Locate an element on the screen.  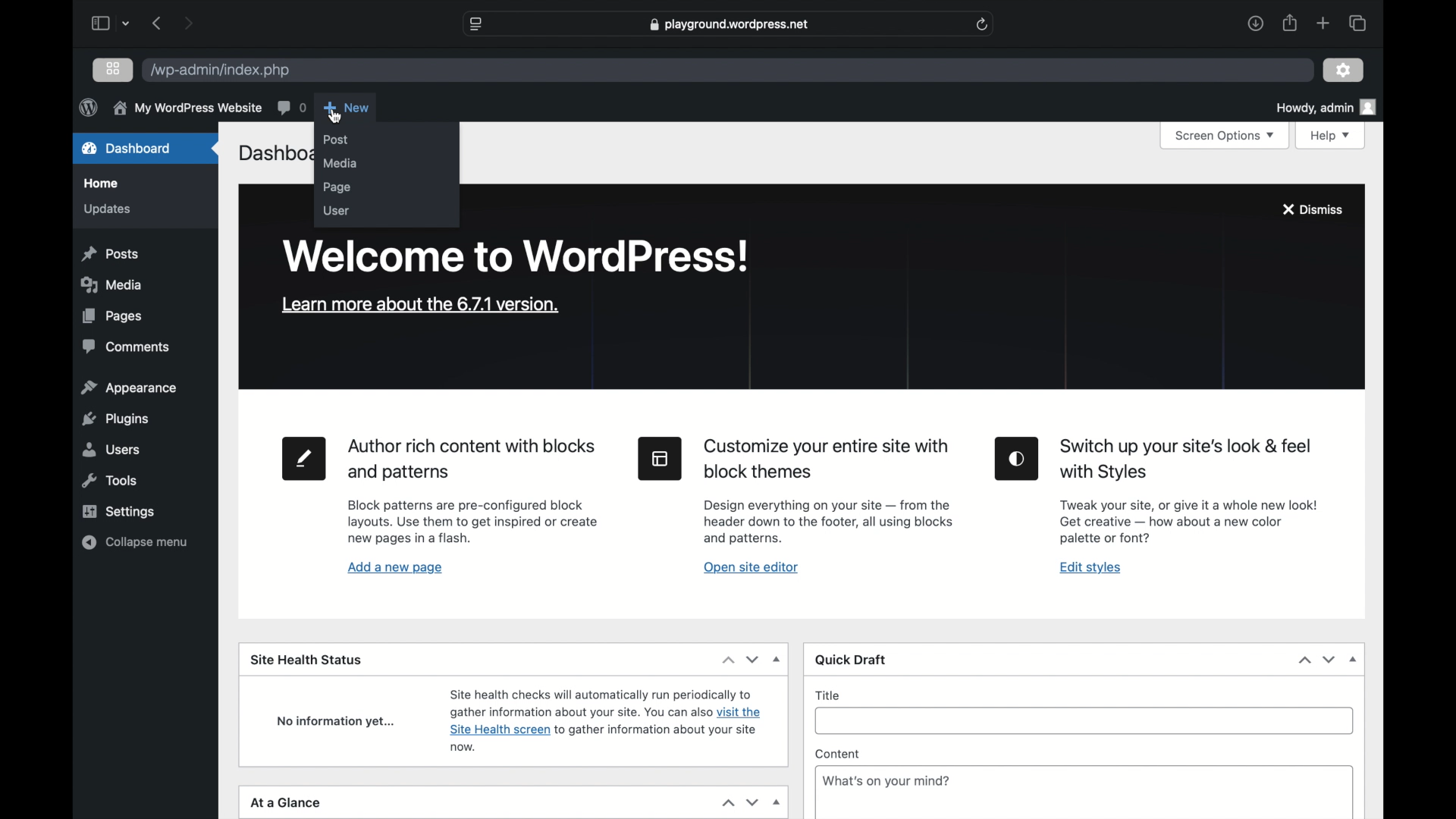
comments is located at coordinates (124, 347).